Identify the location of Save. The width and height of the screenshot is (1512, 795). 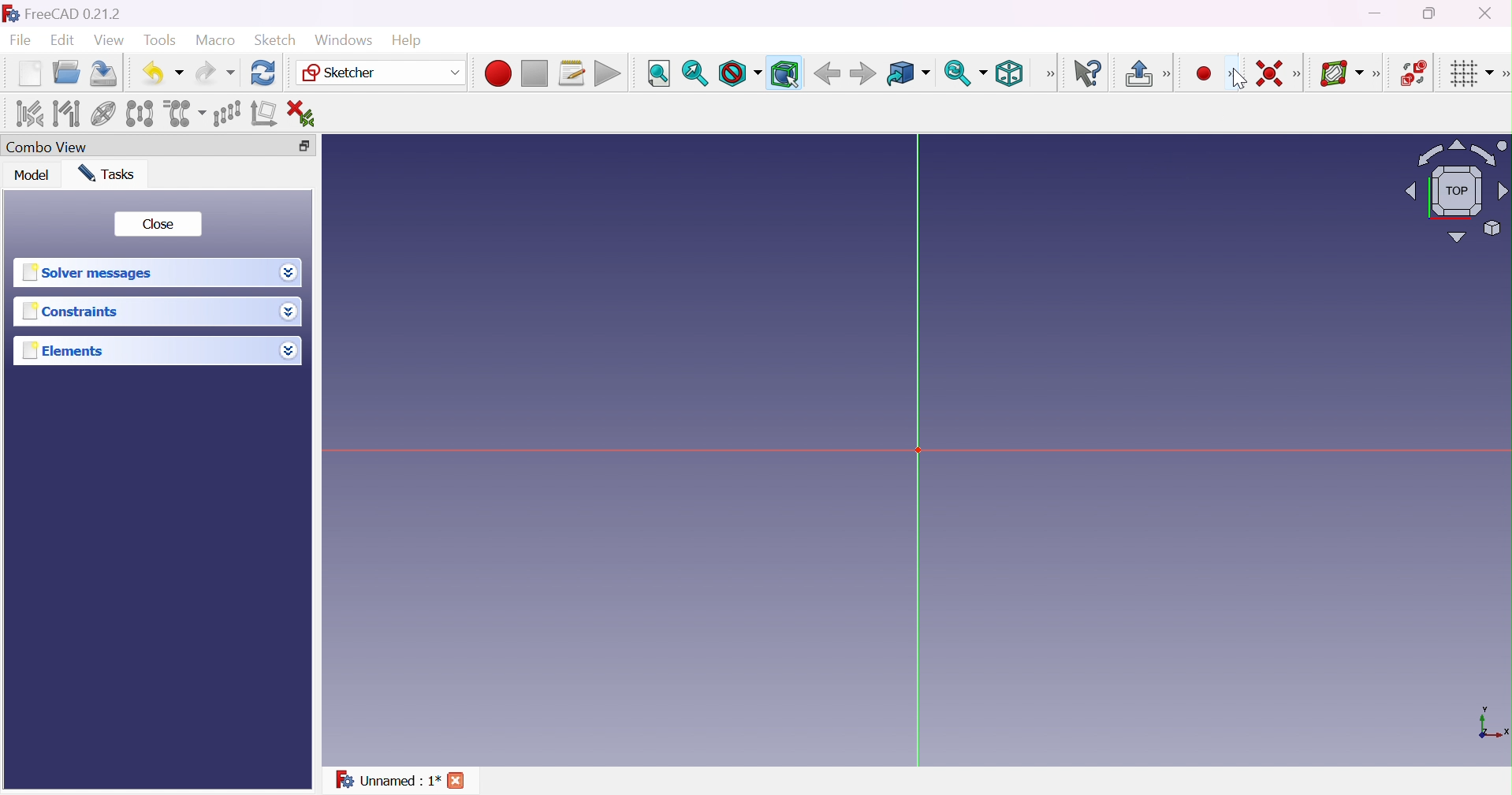
(106, 73).